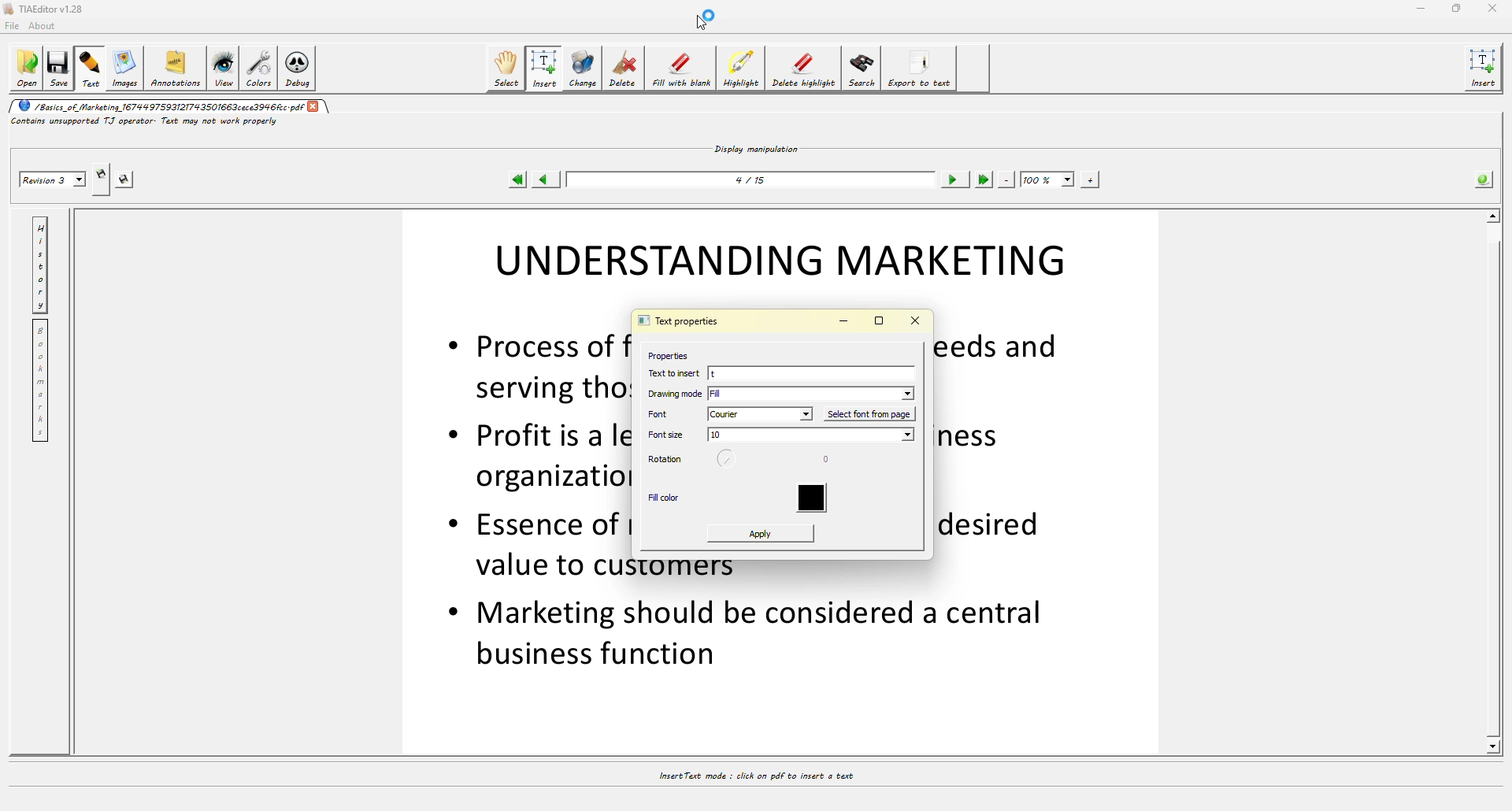  What do you see at coordinates (299, 67) in the screenshot?
I see `debug` at bounding box center [299, 67].